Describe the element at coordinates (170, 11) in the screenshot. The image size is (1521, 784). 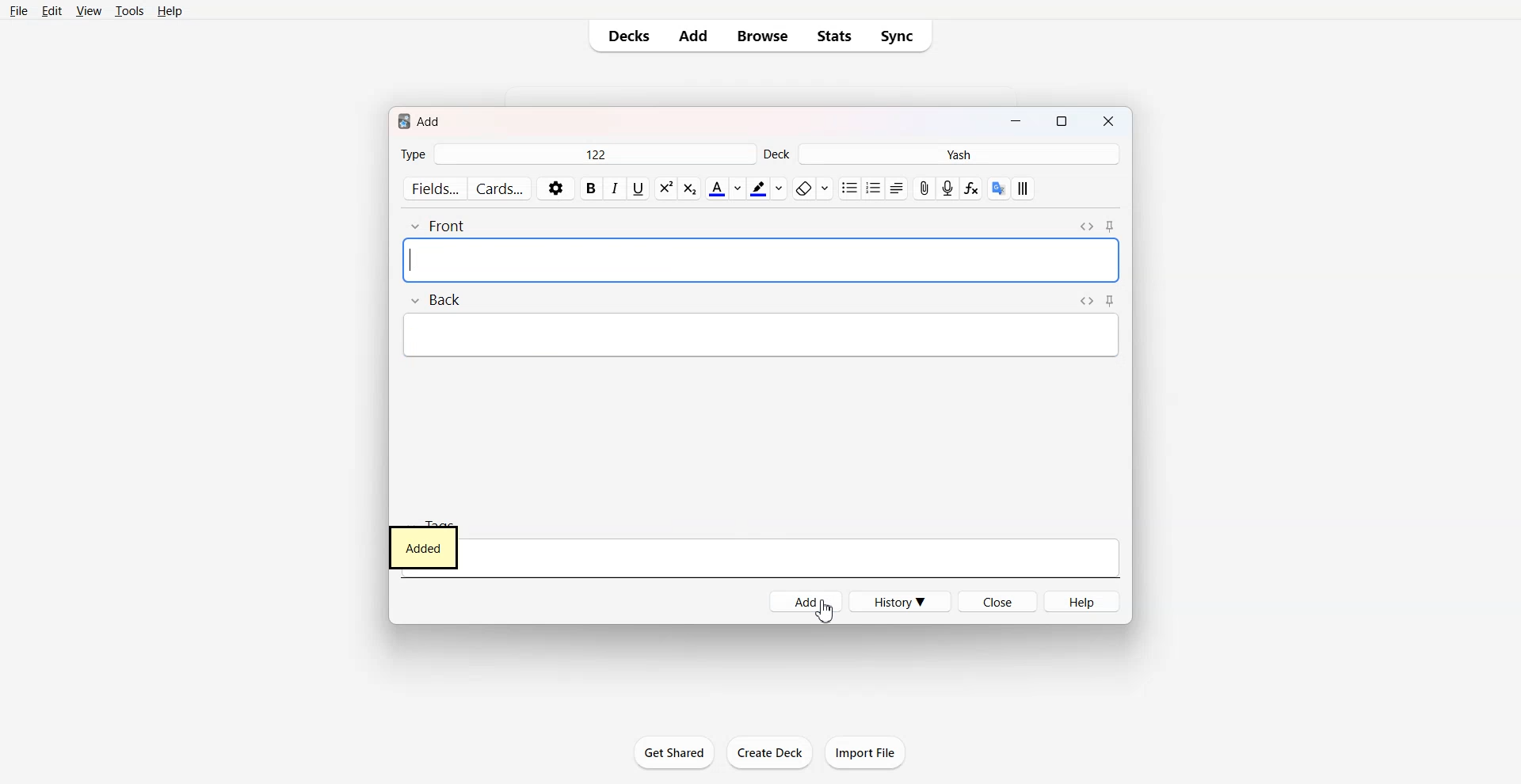
I see `Help` at that location.